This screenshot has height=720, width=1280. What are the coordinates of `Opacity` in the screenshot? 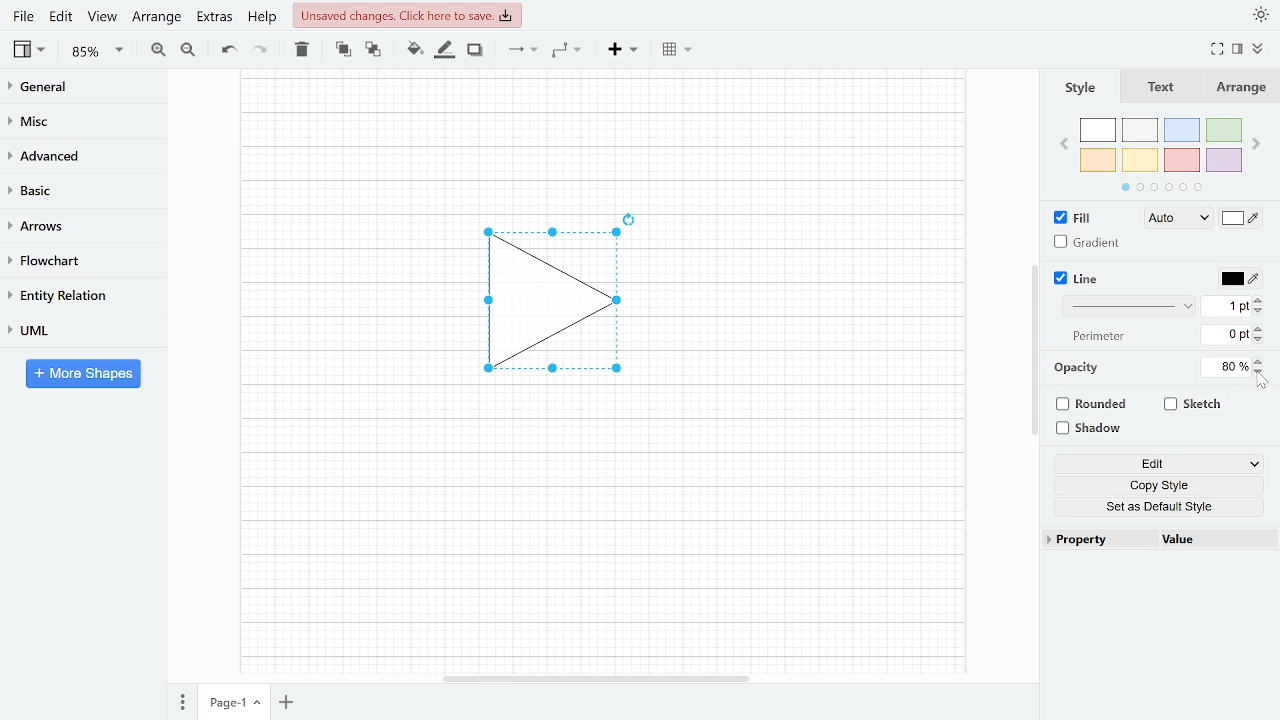 It's located at (1078, 368).